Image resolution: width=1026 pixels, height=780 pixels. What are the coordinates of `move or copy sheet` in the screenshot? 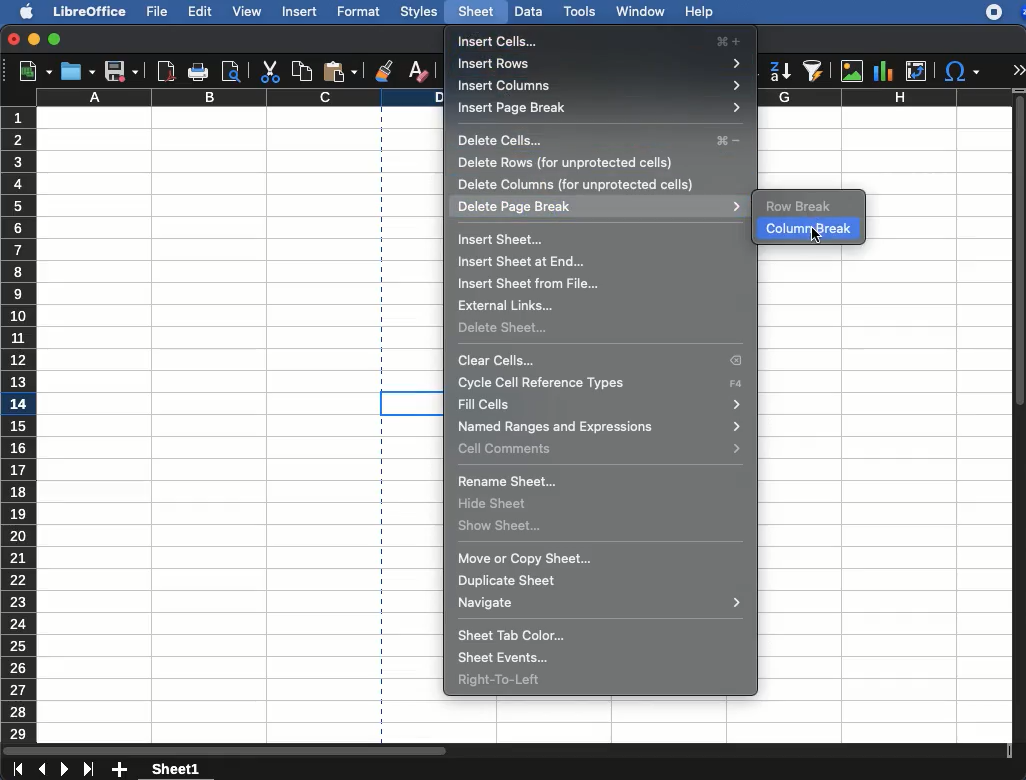 It's located at (525, 559).